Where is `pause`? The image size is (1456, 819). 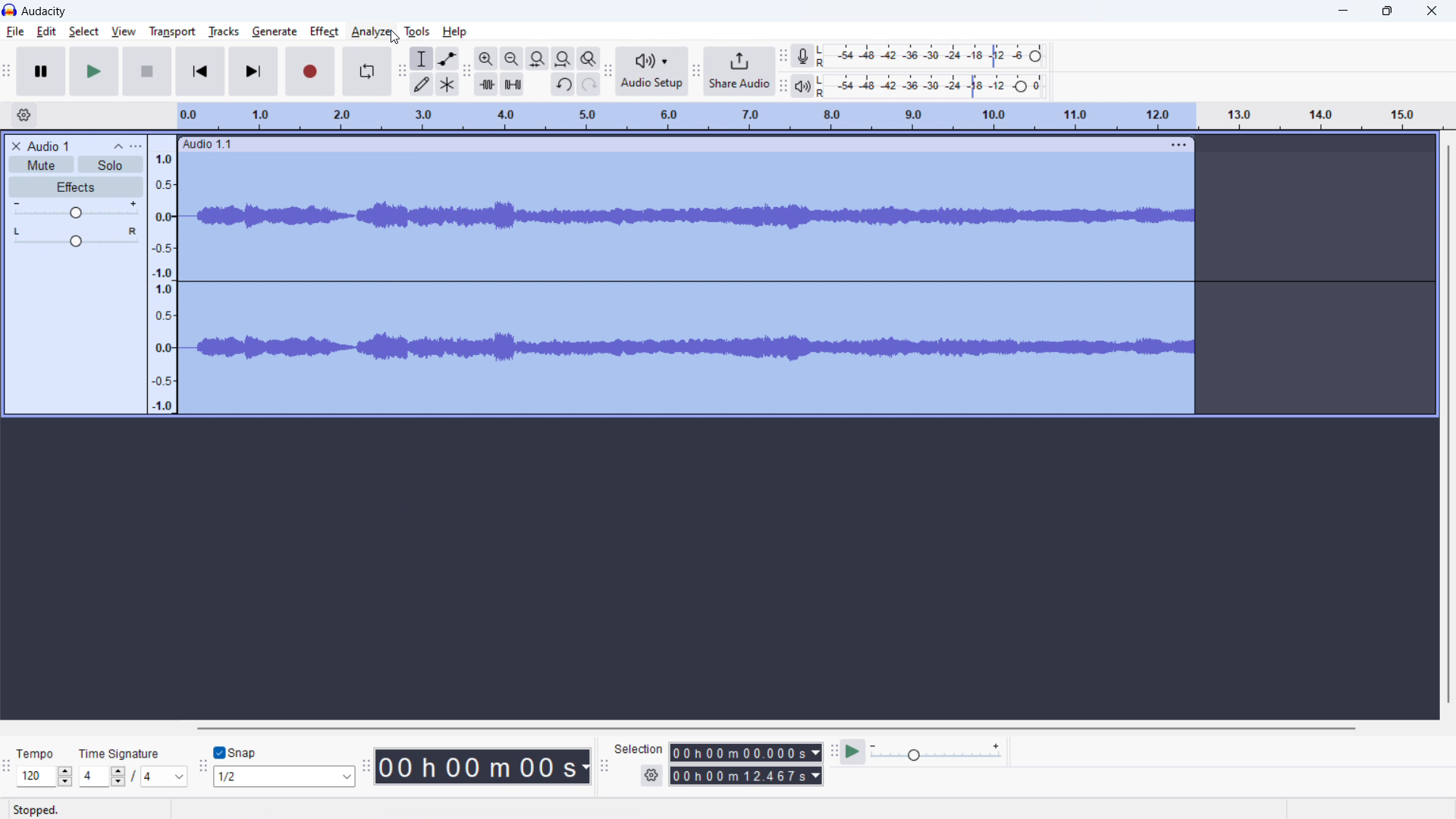 pause is located at coordinates (42, 71).